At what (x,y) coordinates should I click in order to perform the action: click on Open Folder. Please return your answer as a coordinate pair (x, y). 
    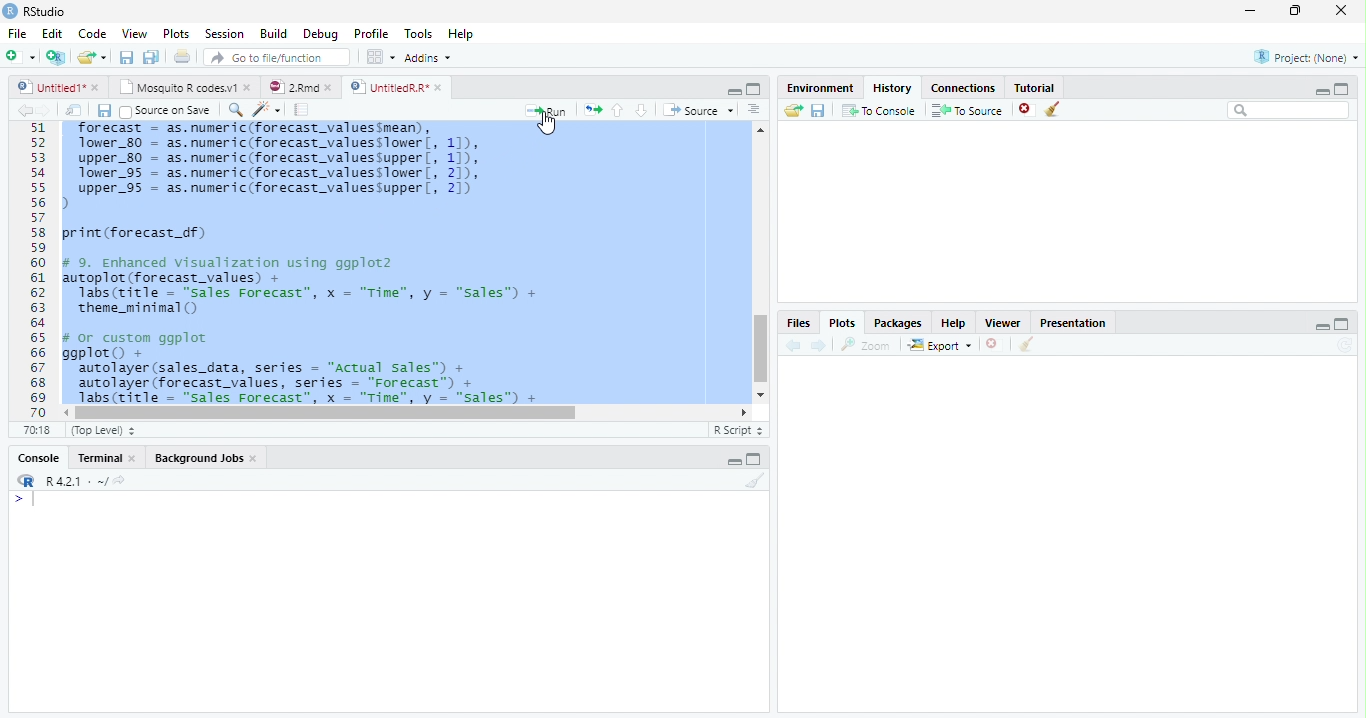
    Looking at the image, I should click on (793, 111).